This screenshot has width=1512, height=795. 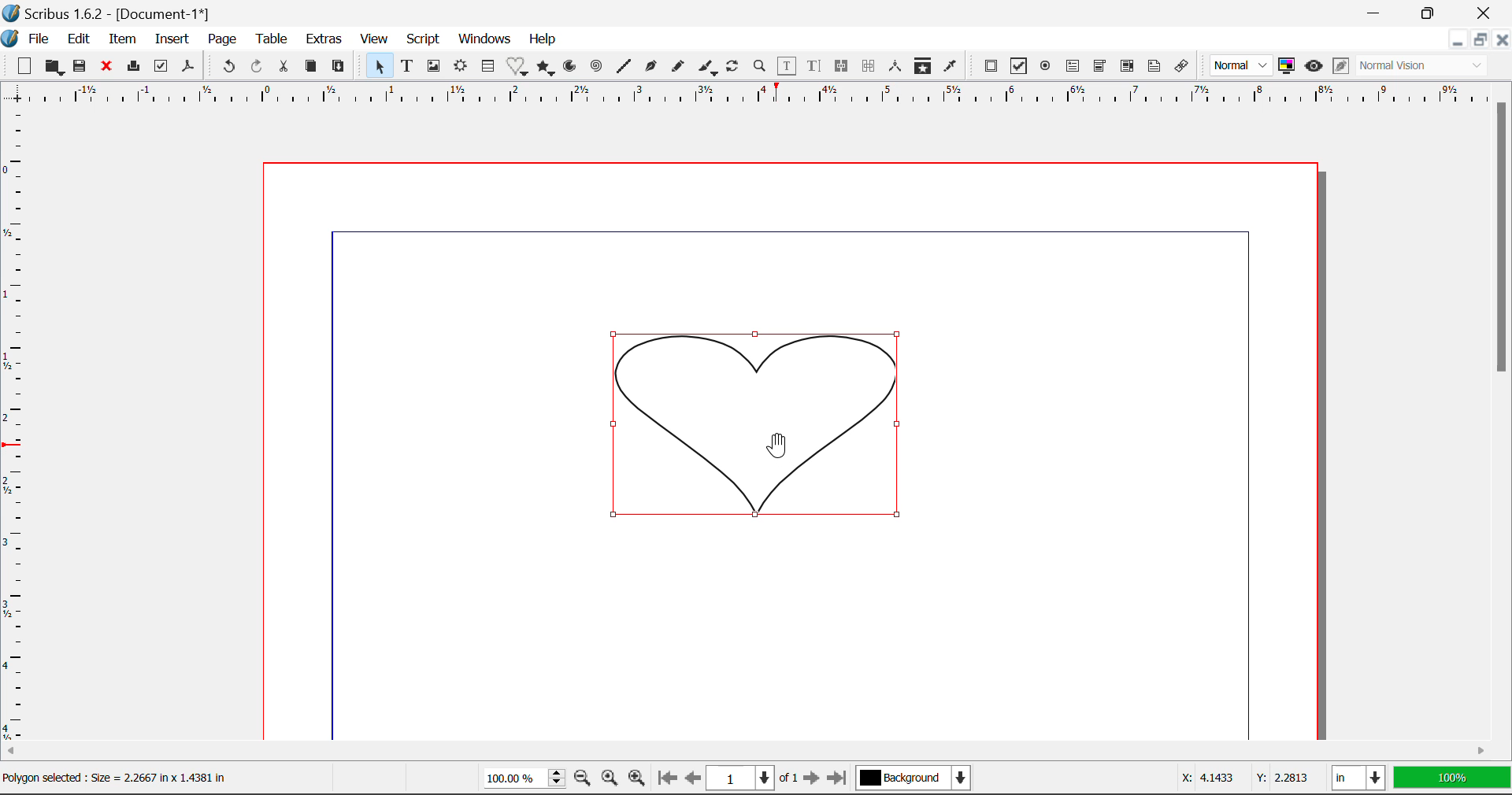 What do you see at coordinates (1287, 67) in the screenshot?
I see `Toggle color management system` at bounding box center [1287, 67].